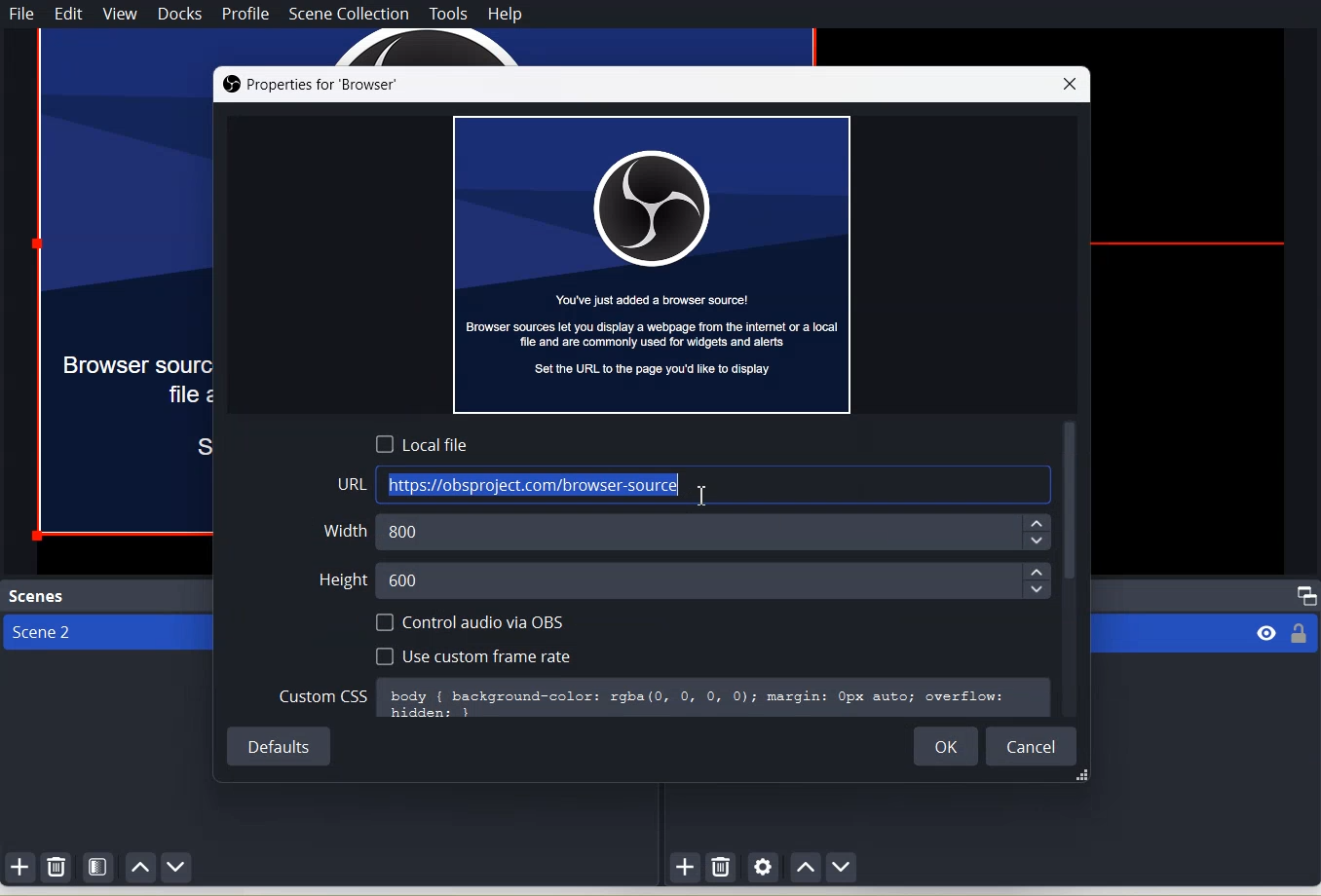  What do you see at coordinates (1302, 631) in the screenshot?
I see `locked or unlocked` at bounding box center [1302, 631].